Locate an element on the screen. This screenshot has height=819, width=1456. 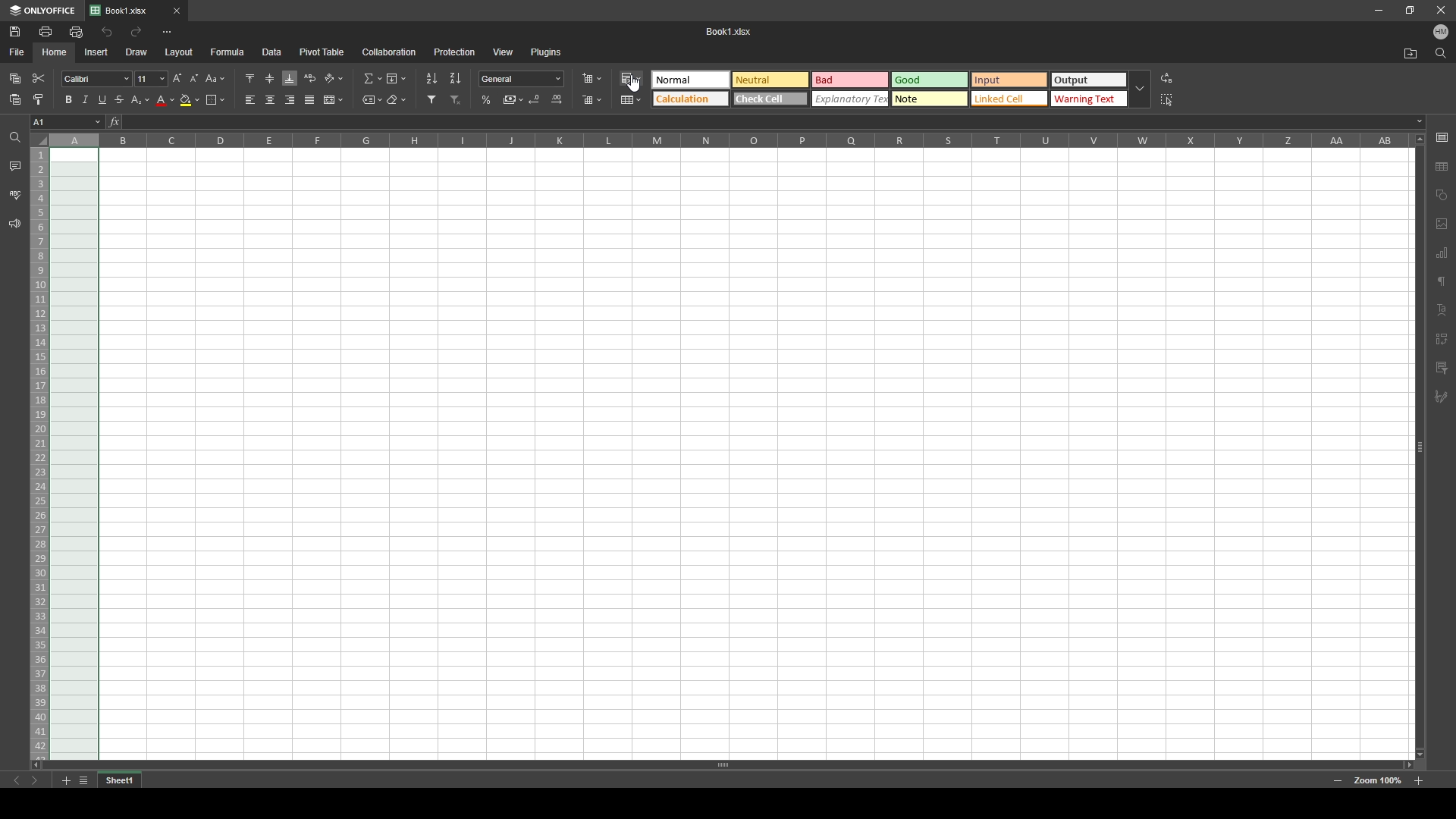
text alignment is located at coordinates (1442, 310).